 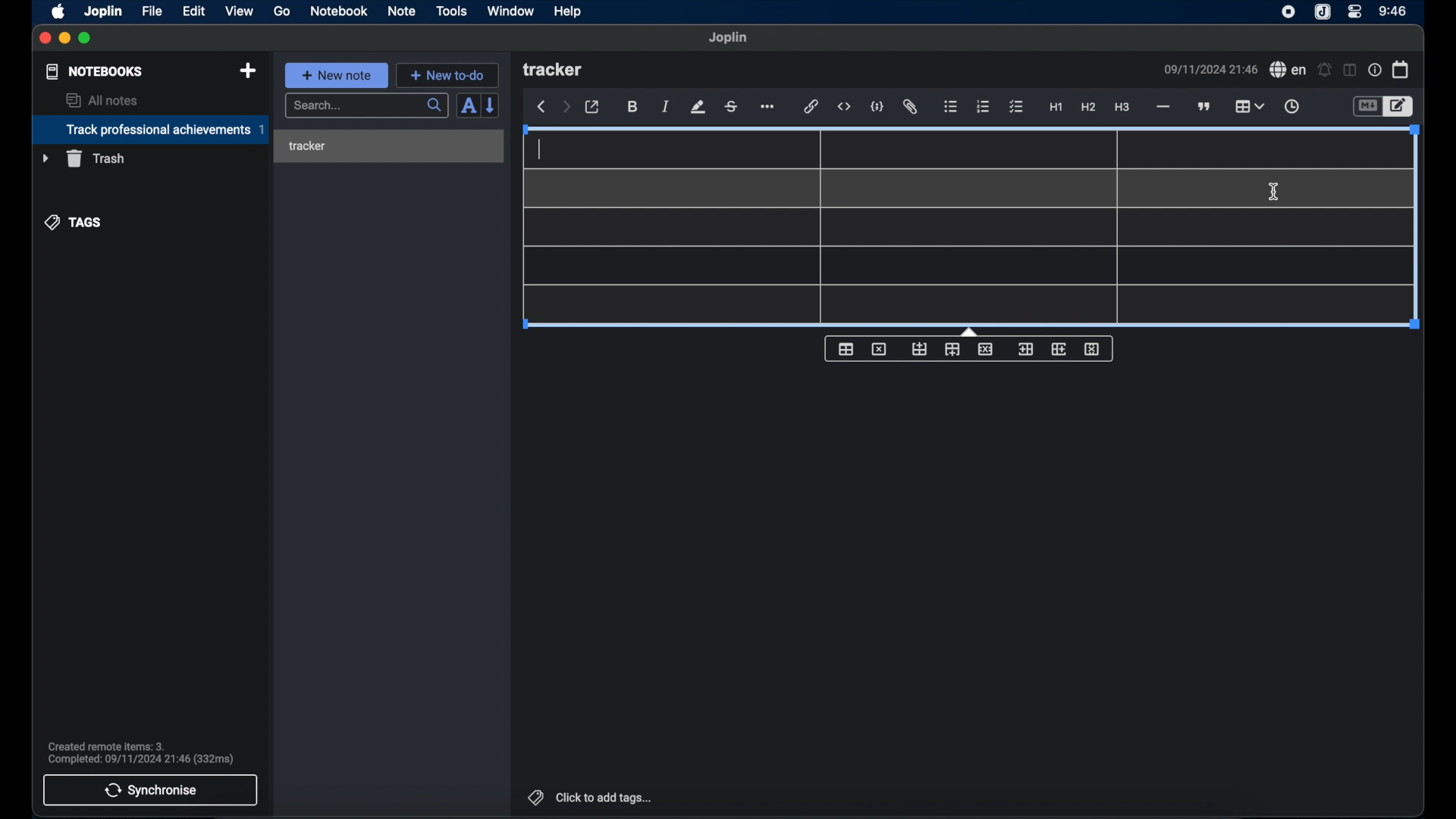 What do you see at coordinates (1210, 69) in the screenshot?
I see `date and time` at bounding box center [1210, 69].